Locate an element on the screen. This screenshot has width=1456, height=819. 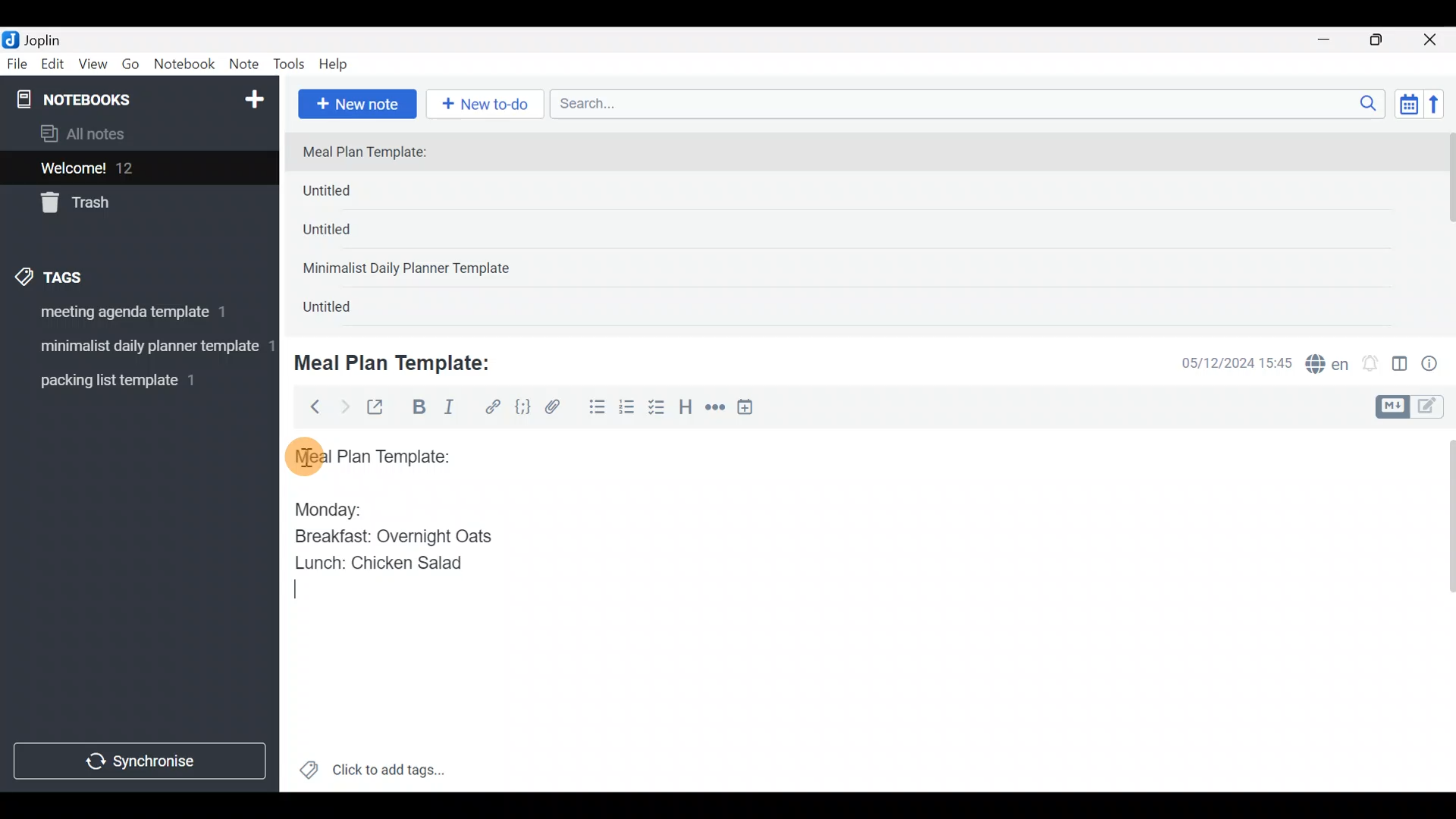
Heading is located at coordinates (686, 409).